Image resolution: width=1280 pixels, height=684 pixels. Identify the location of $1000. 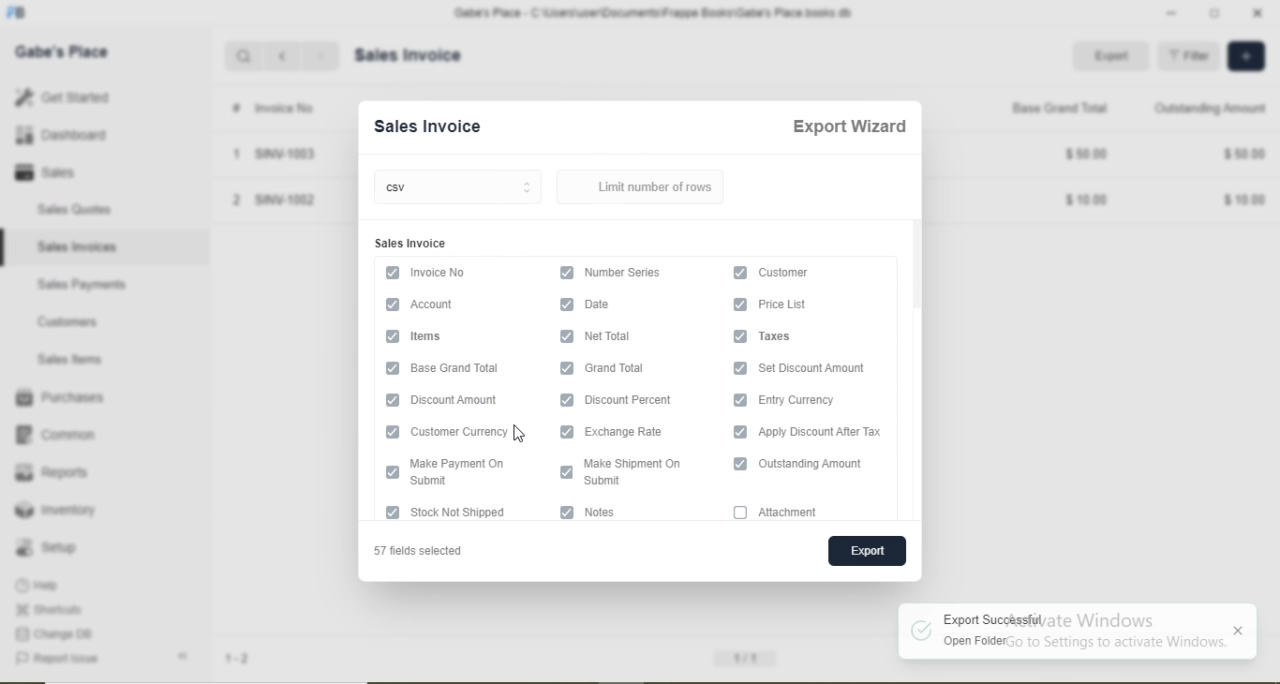
(1246, 200).